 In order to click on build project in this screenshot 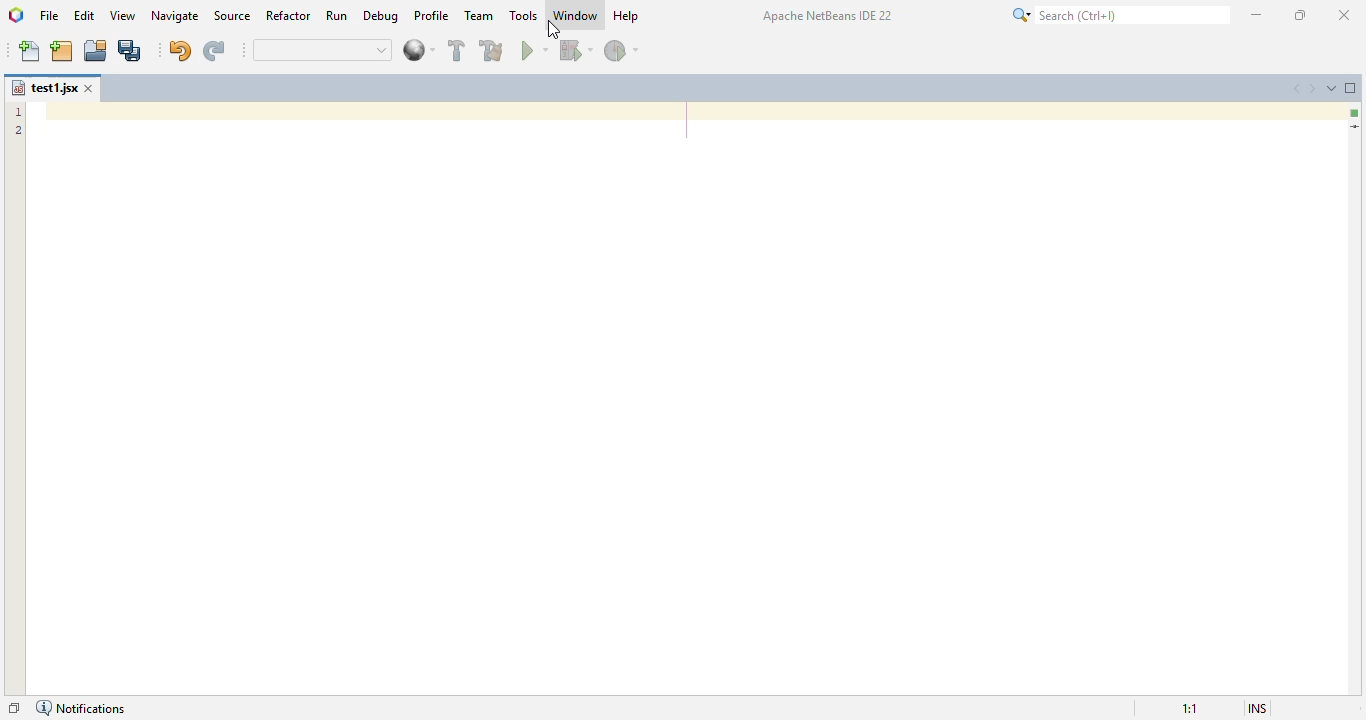, I will do `click(456, 50)`.